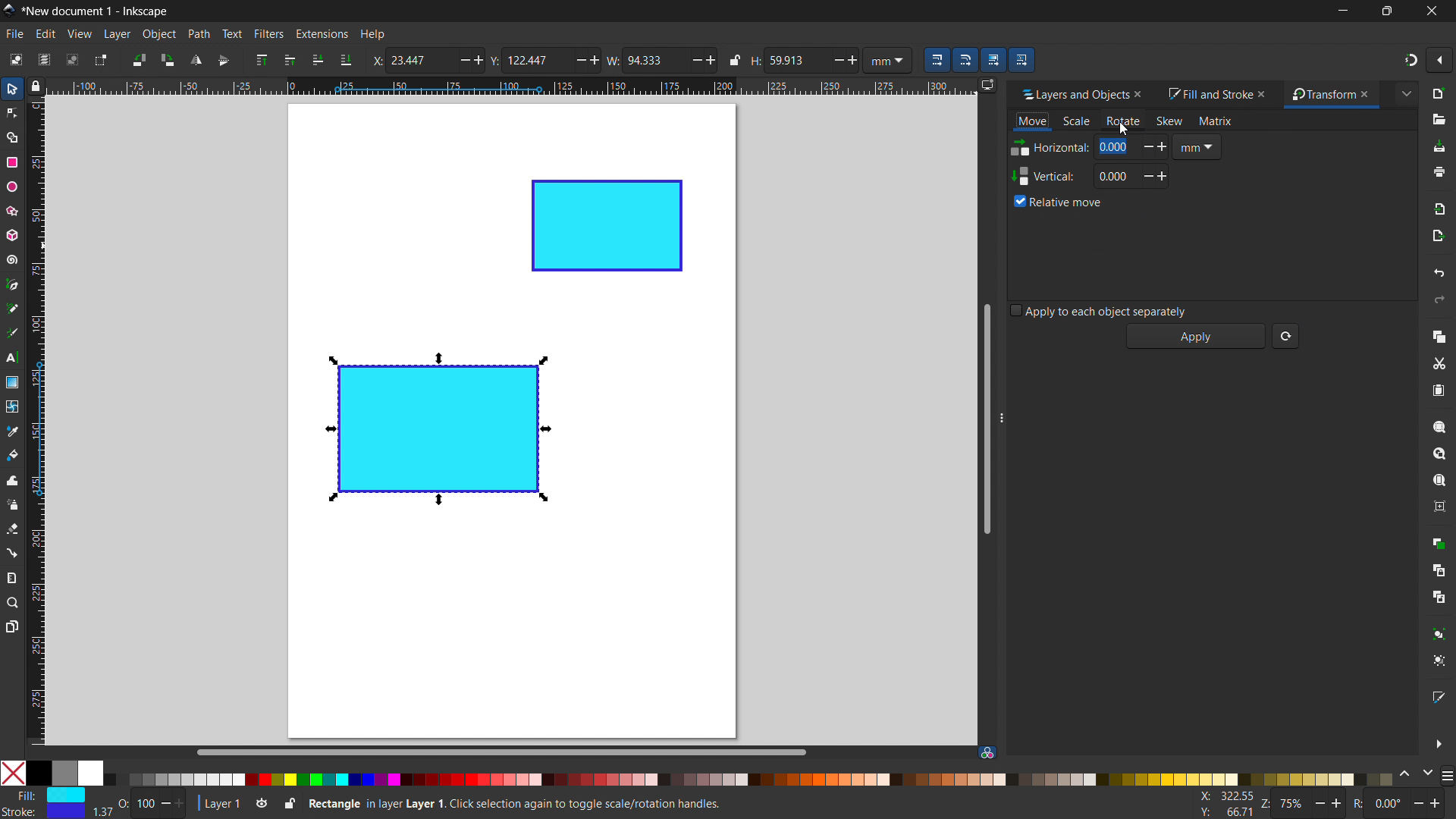  I want to click on text, so click(231, 33).